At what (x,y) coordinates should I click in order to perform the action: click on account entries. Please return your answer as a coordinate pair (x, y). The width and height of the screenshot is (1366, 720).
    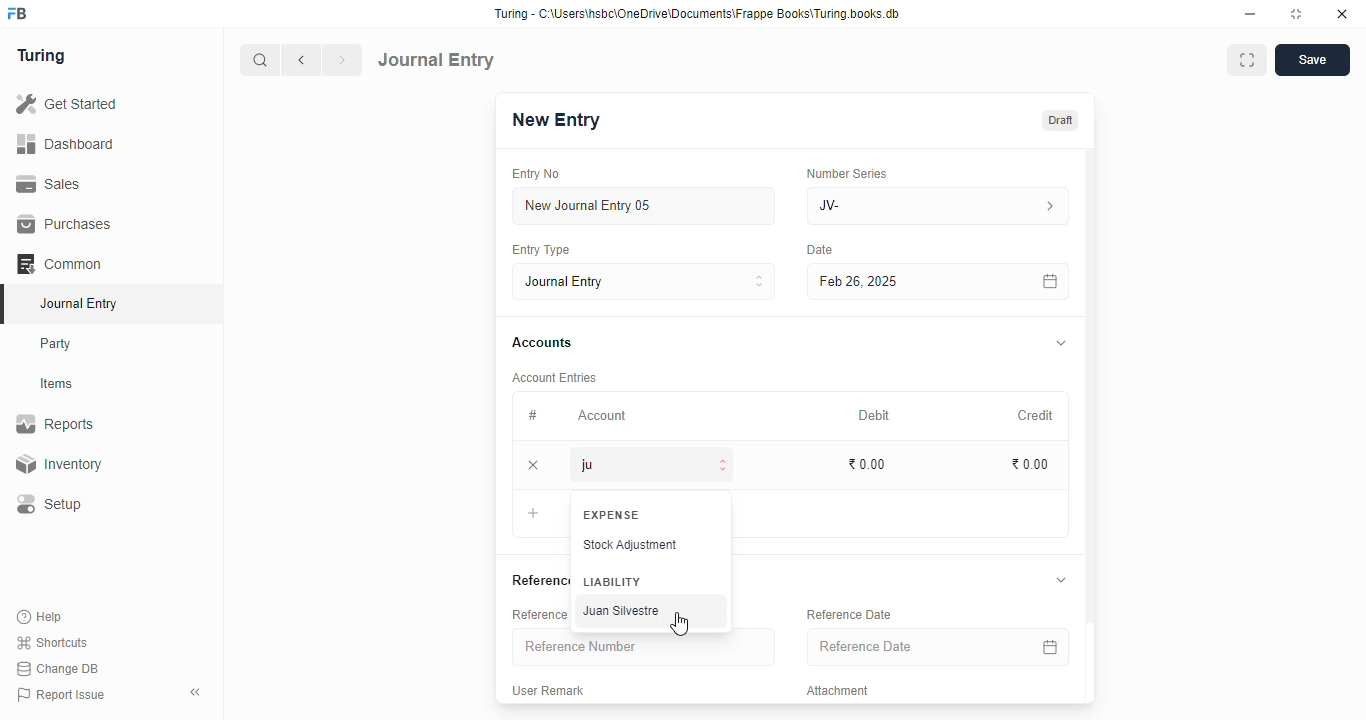
    Looking at the image, I should click on (554, 377).